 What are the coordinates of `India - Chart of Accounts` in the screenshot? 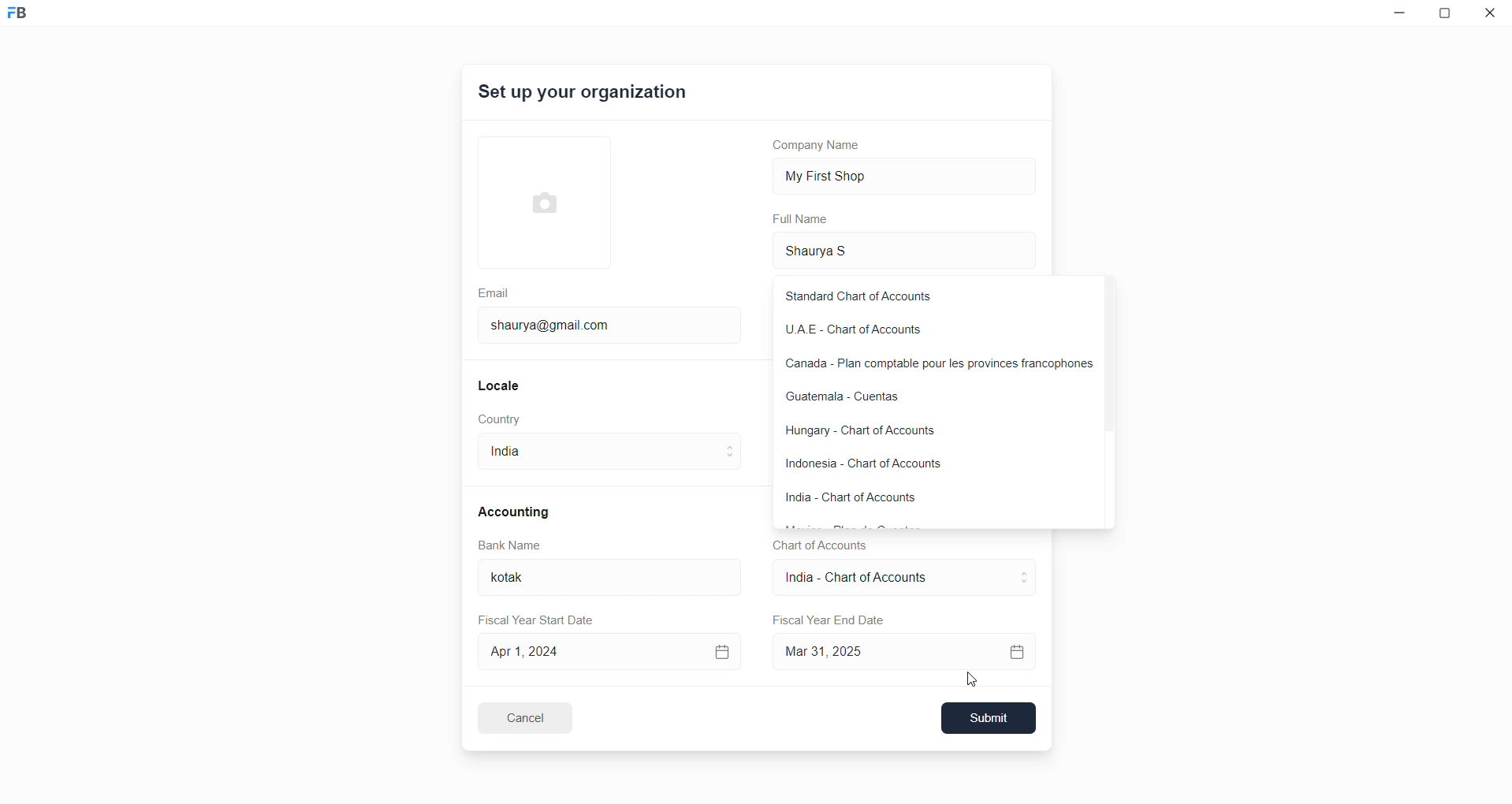 It's located at (862, 498).